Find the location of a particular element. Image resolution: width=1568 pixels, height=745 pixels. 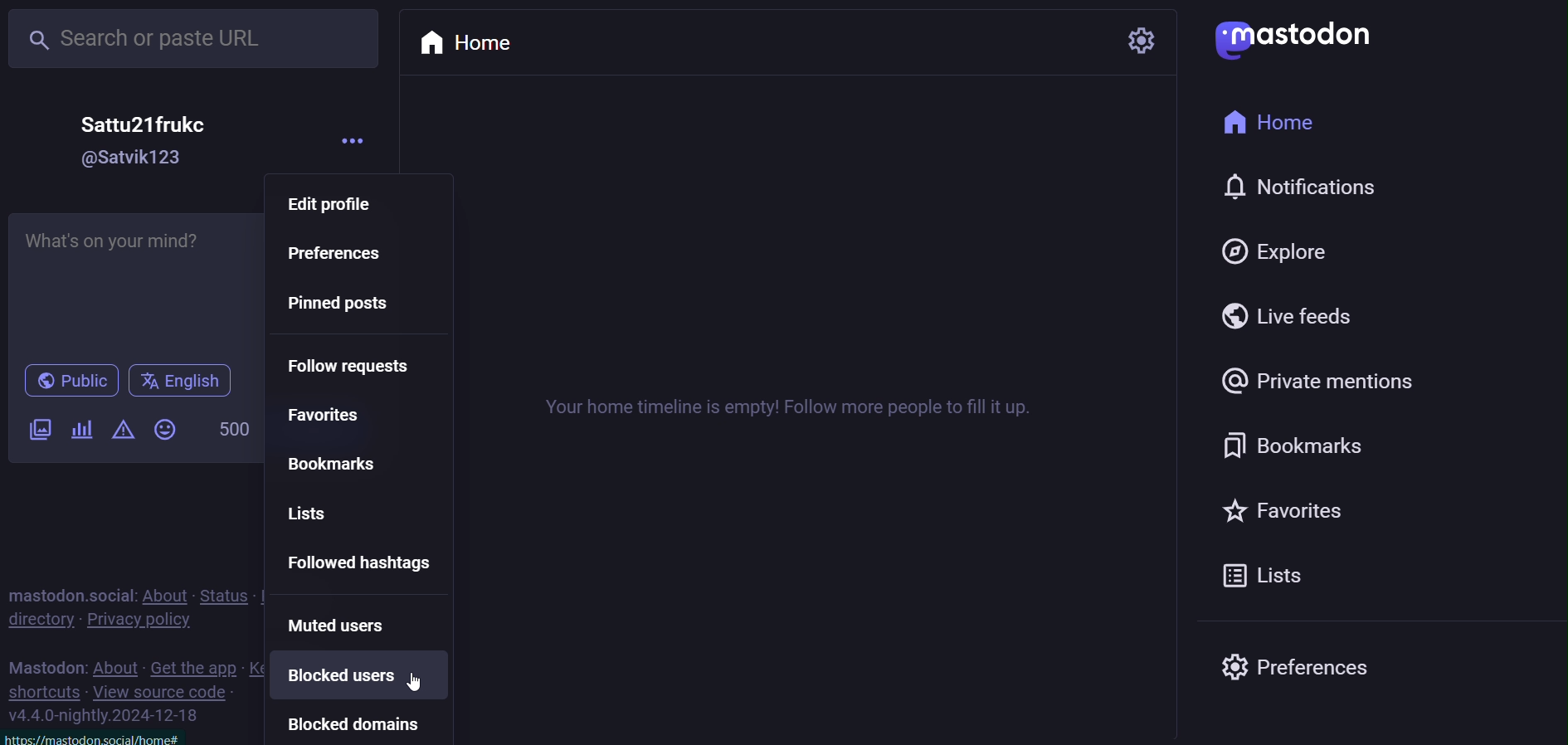

lists is located at coordinates (1282, 573).